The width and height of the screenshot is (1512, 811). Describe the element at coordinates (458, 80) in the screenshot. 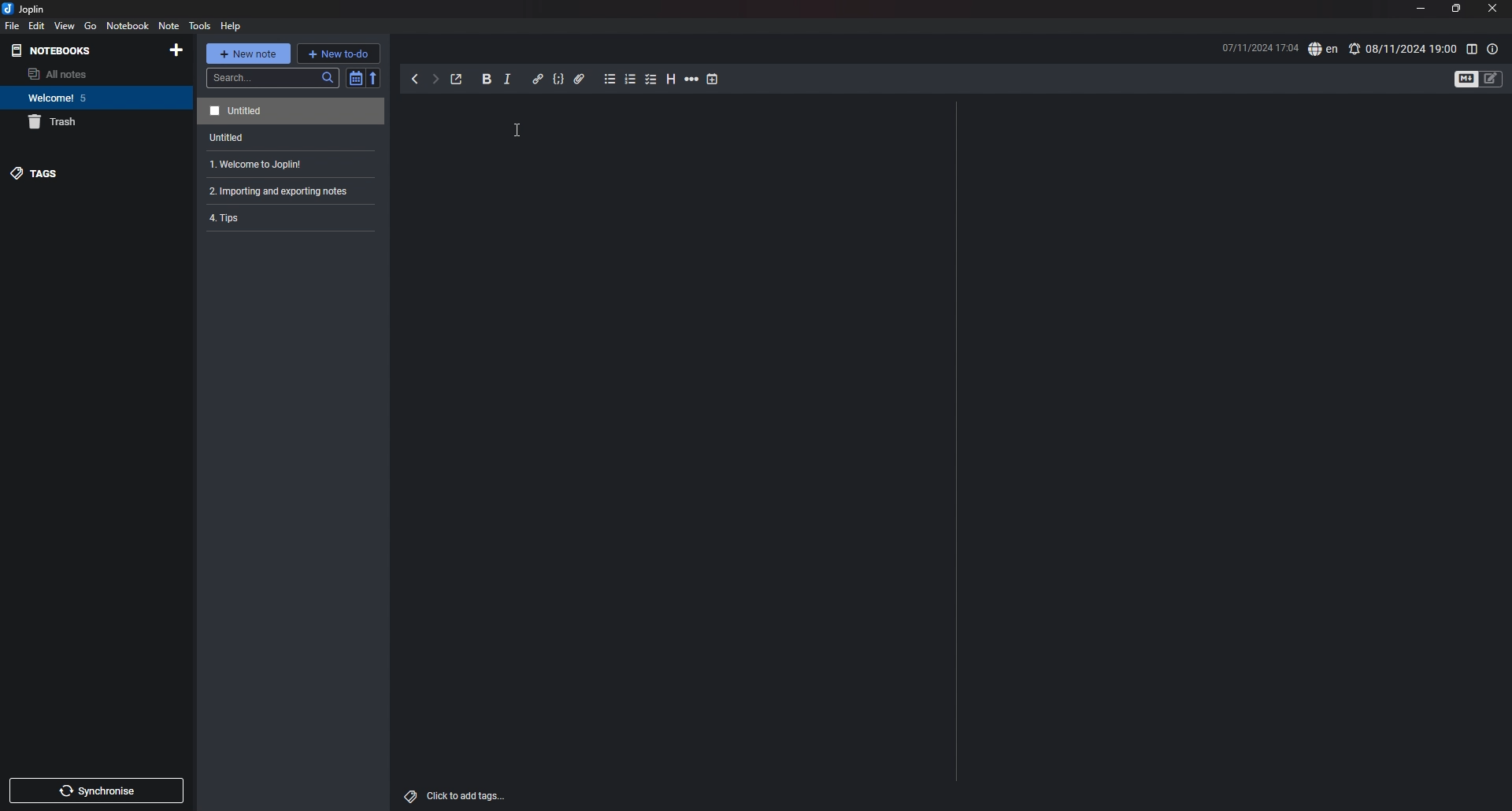

I see `toggle external editor` at that location.